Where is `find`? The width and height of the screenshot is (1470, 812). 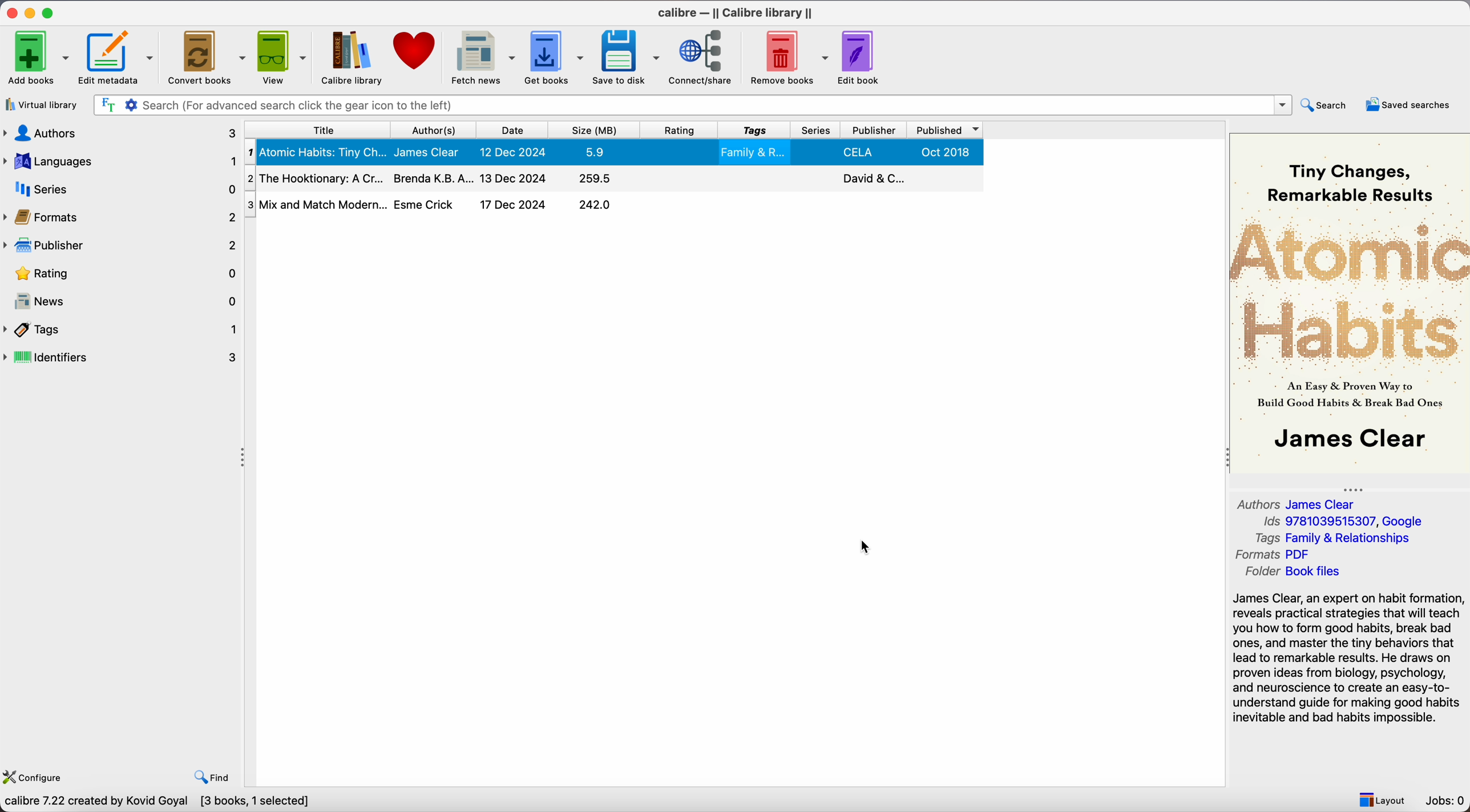 find is located at coordinates (212, 778).